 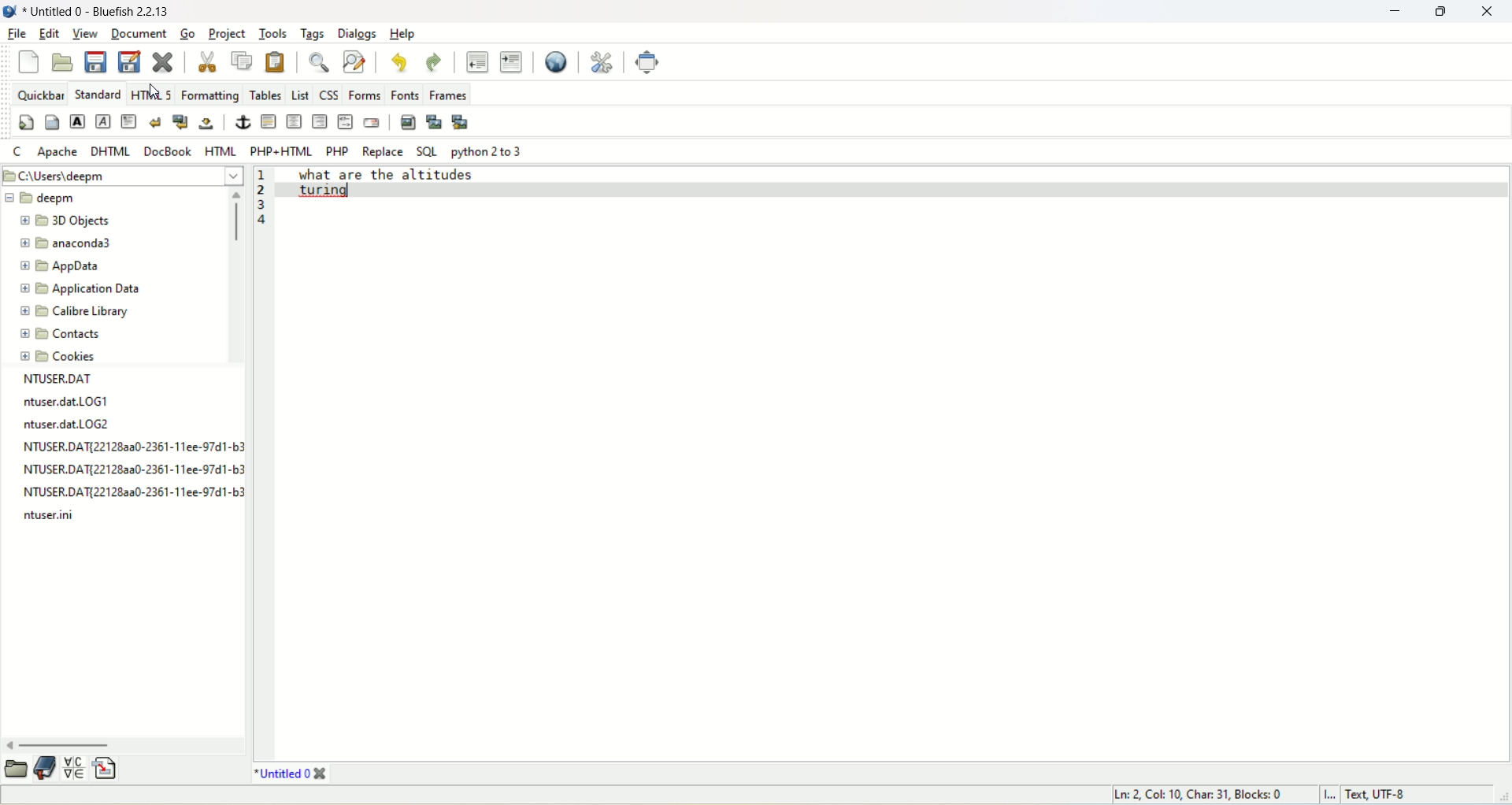 What do you see at coordinates (362, 94) in the screenshot?
I see `forms` at bounding box center [362, 94].